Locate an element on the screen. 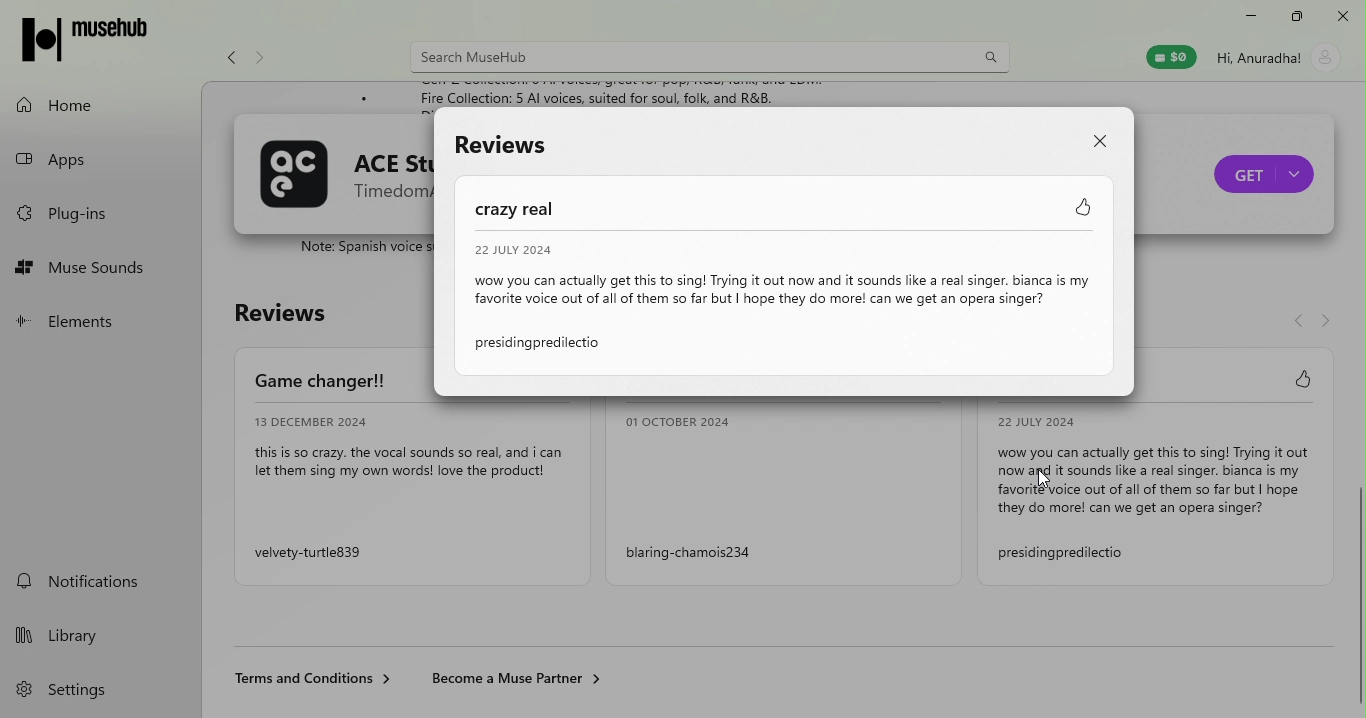 This screenshot has height=718, width=1366. Crazy real is located at coordinates (519, 213).